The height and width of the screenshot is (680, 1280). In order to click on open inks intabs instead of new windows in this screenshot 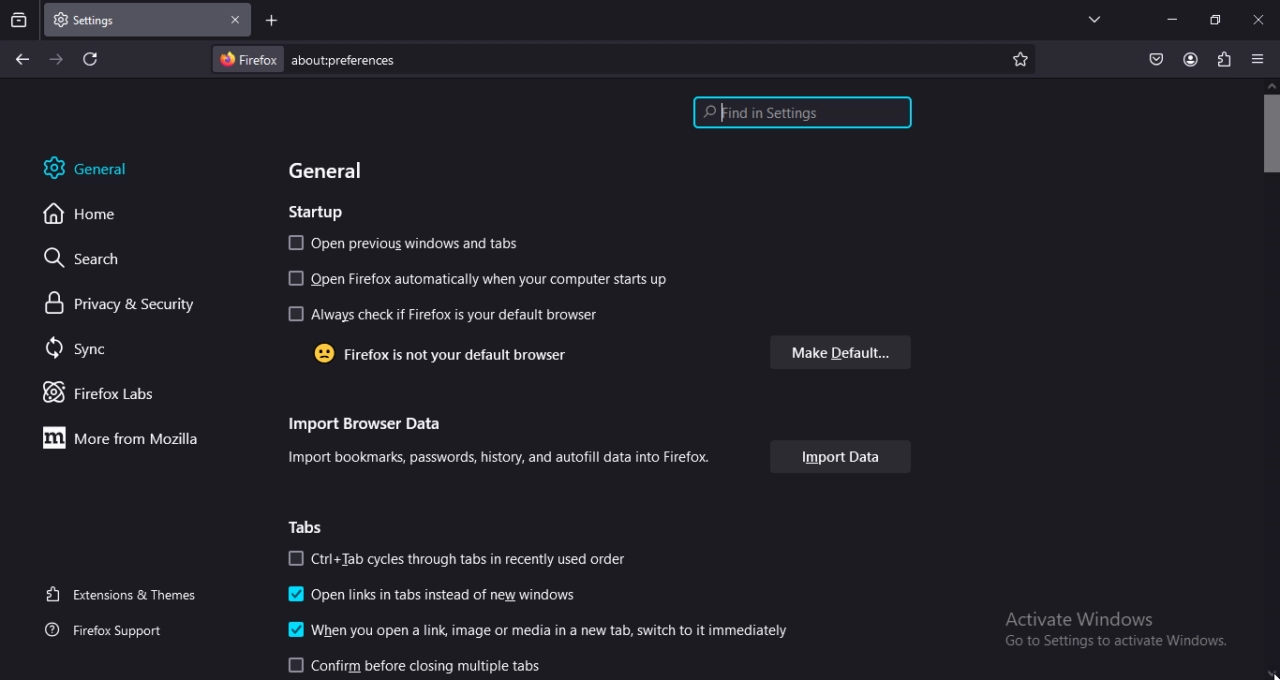, I will do `click(430, 595)`.